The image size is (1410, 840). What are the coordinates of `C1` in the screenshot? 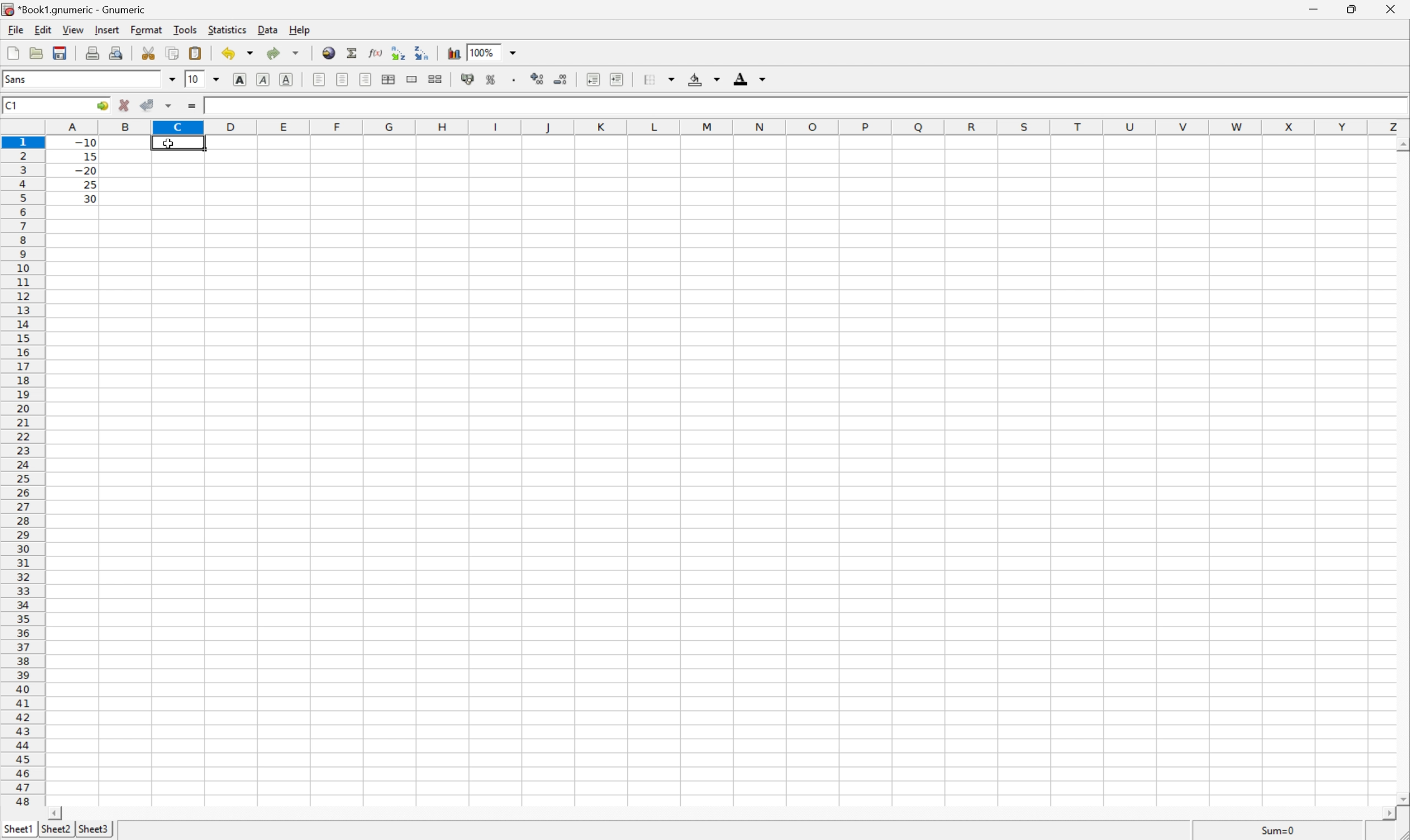 It's located at (11, 105).